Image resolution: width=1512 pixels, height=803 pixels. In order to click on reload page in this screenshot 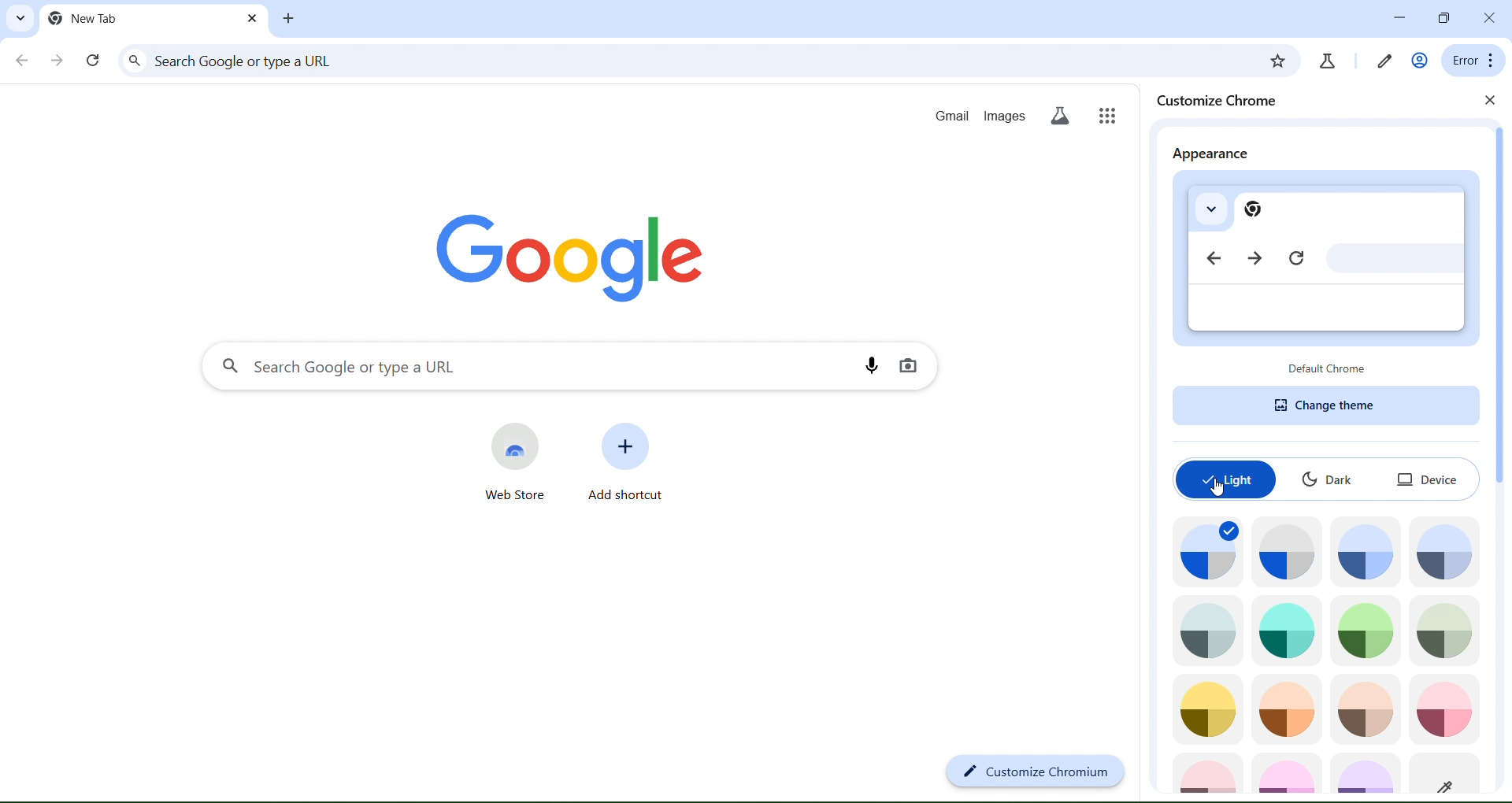, I will do `click(93, 61)`.